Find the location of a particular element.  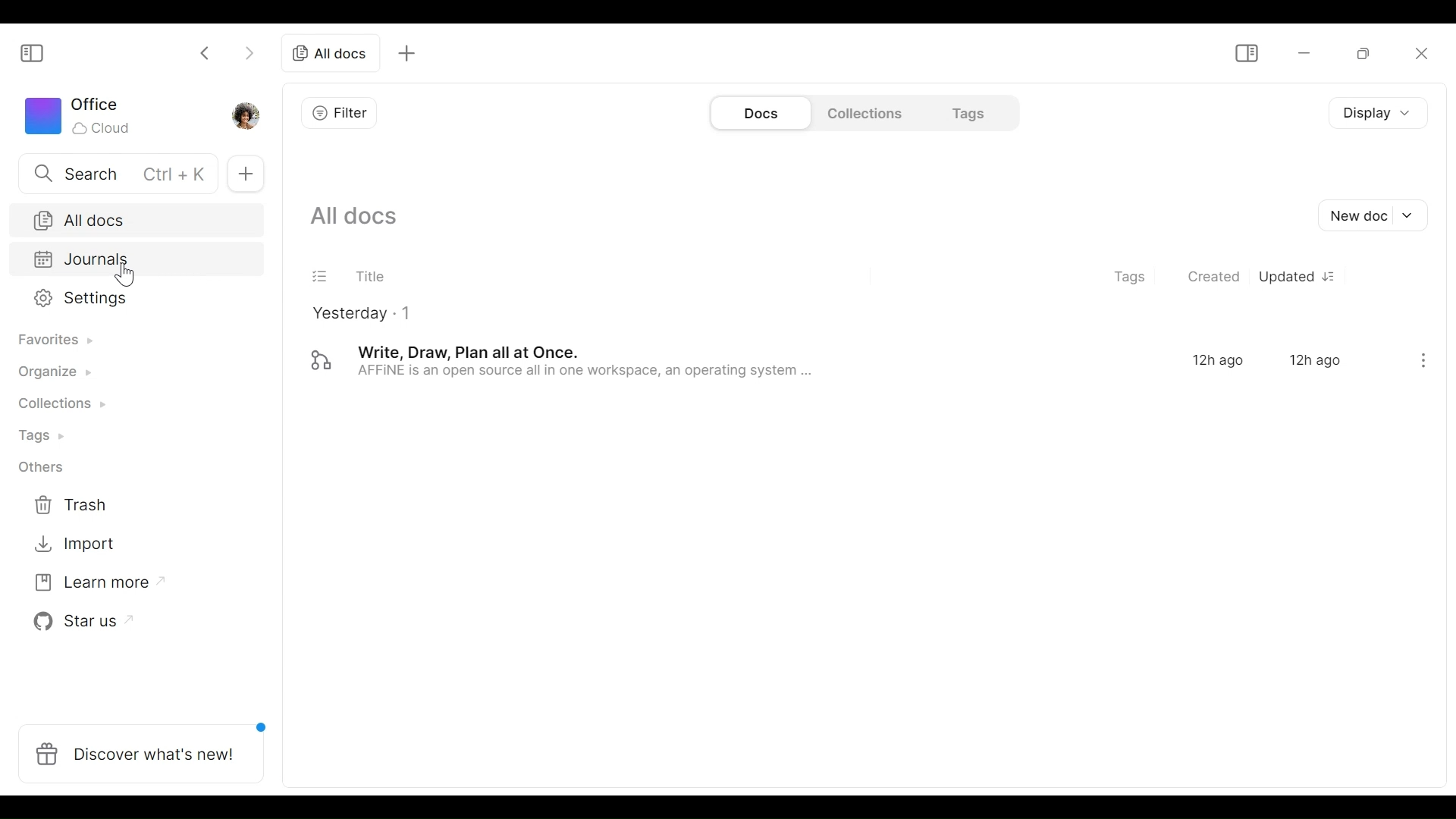

Tags is located at coordinates (1129, 277).